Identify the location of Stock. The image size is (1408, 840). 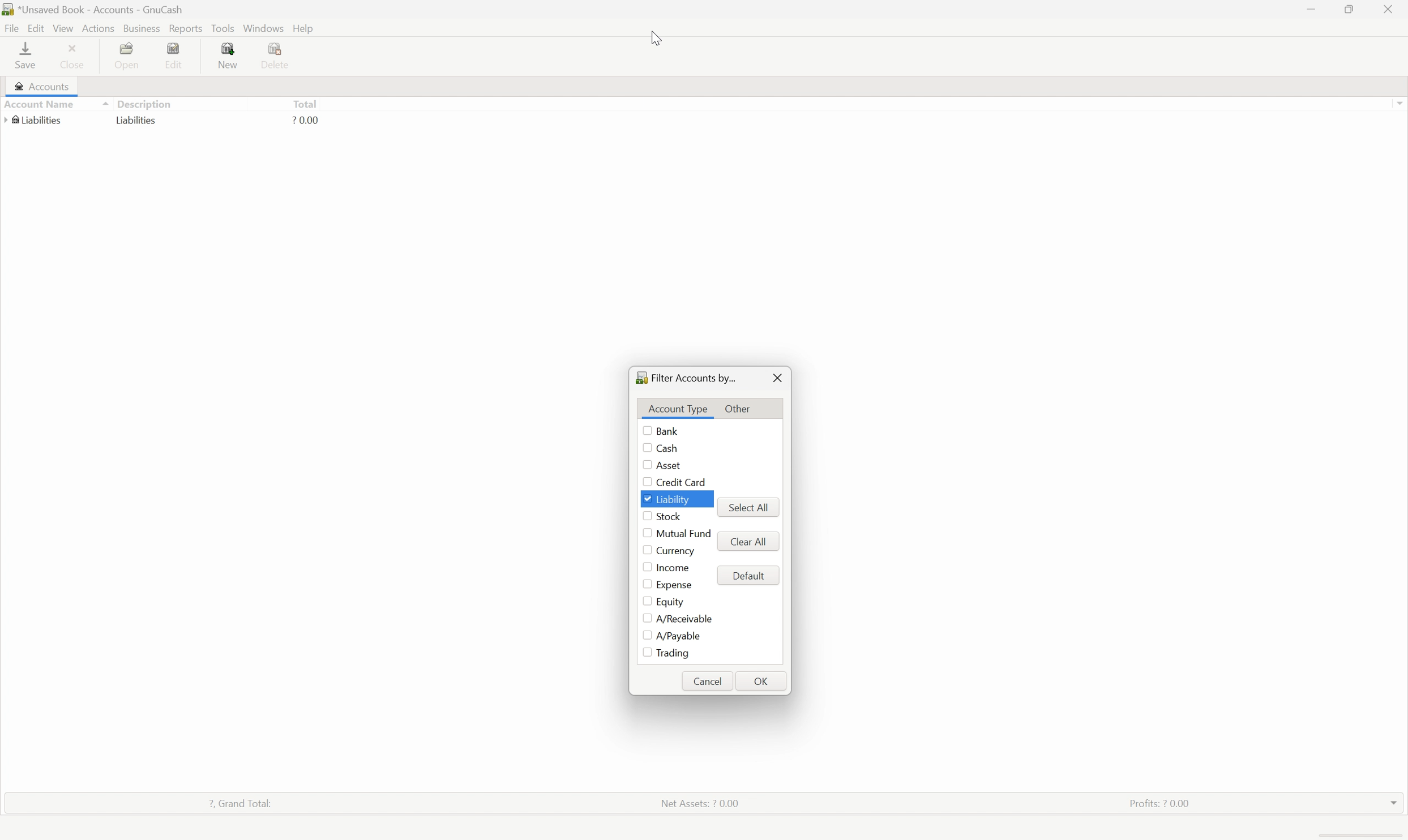
(673, 518).